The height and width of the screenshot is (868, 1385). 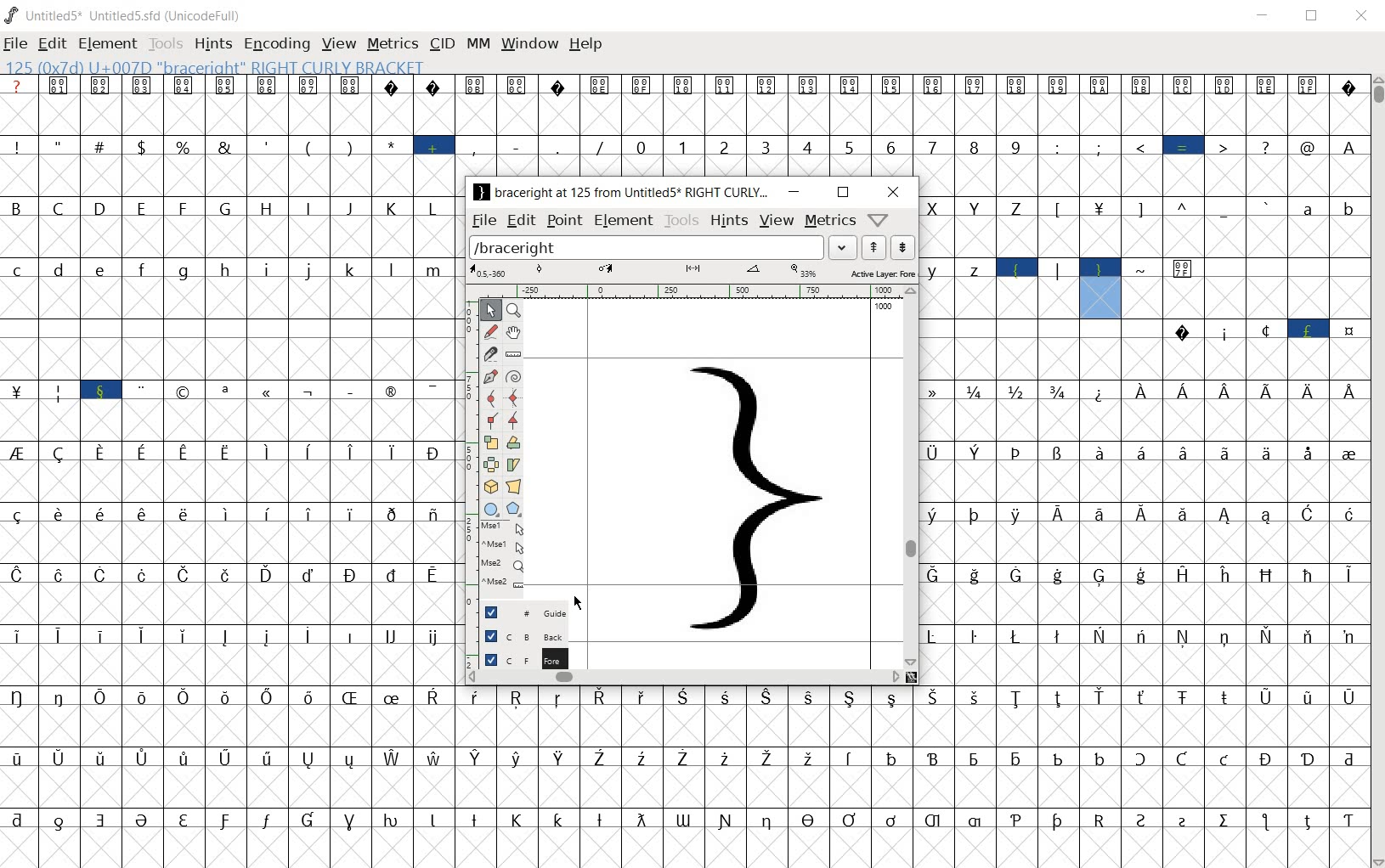 I want to click on polygon or star, so click(x=515, y=509).